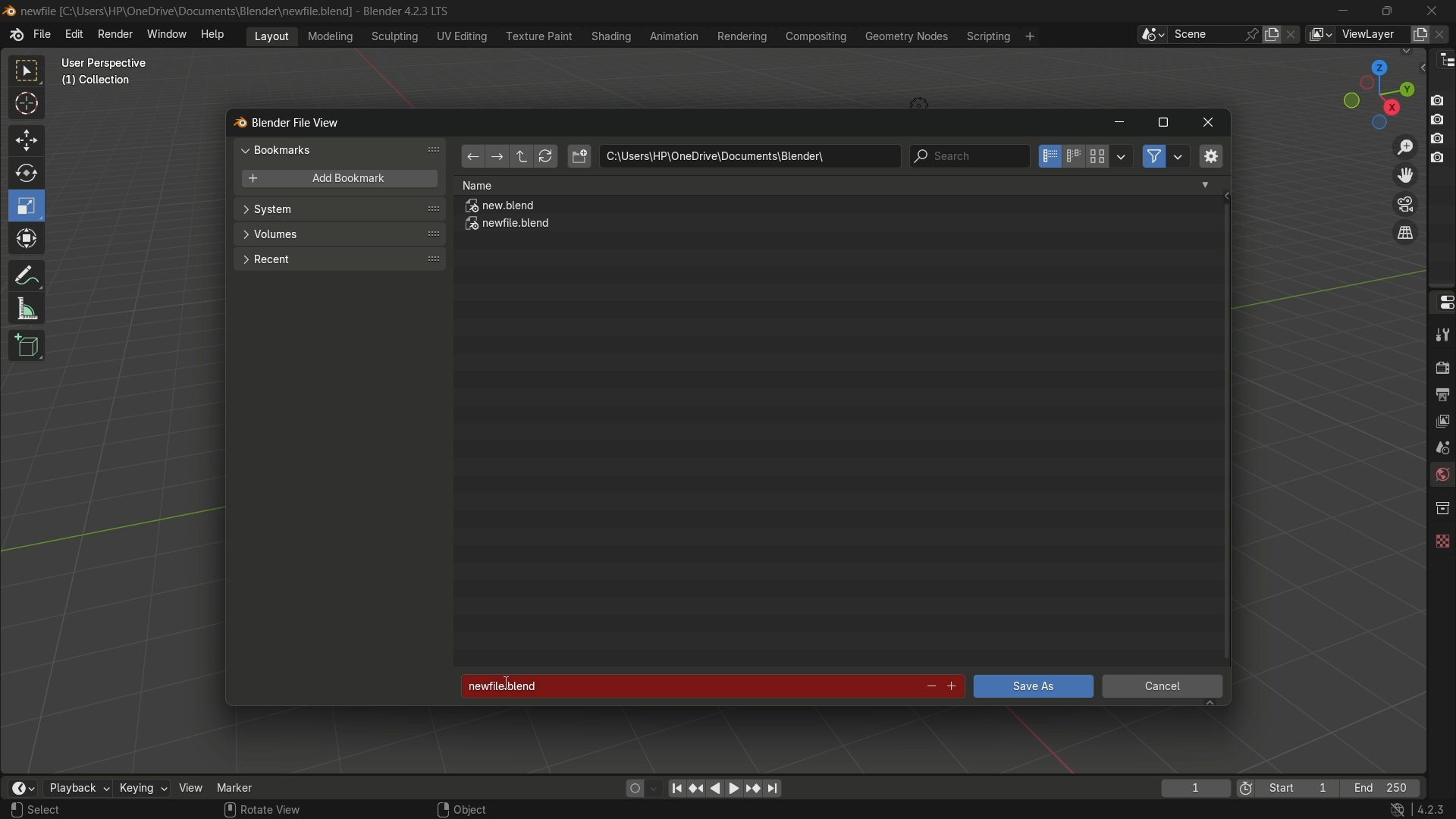 This screenshot has height=819, width=1456. Describe the element at coordinates (1442, 508) in the screenshot. I see `collections` at that location.